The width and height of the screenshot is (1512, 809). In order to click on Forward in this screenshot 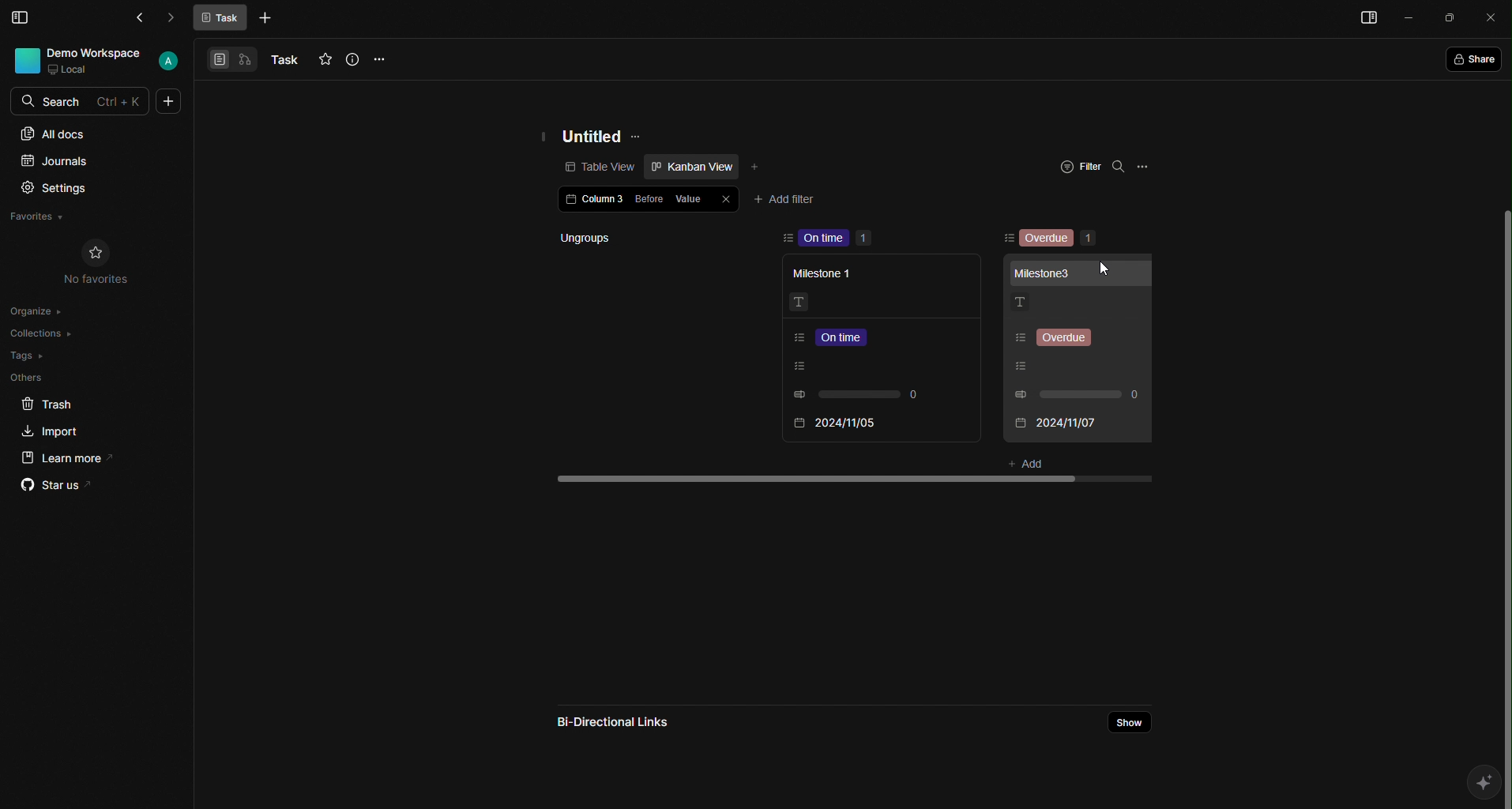, I will do `click(169, 18)`.